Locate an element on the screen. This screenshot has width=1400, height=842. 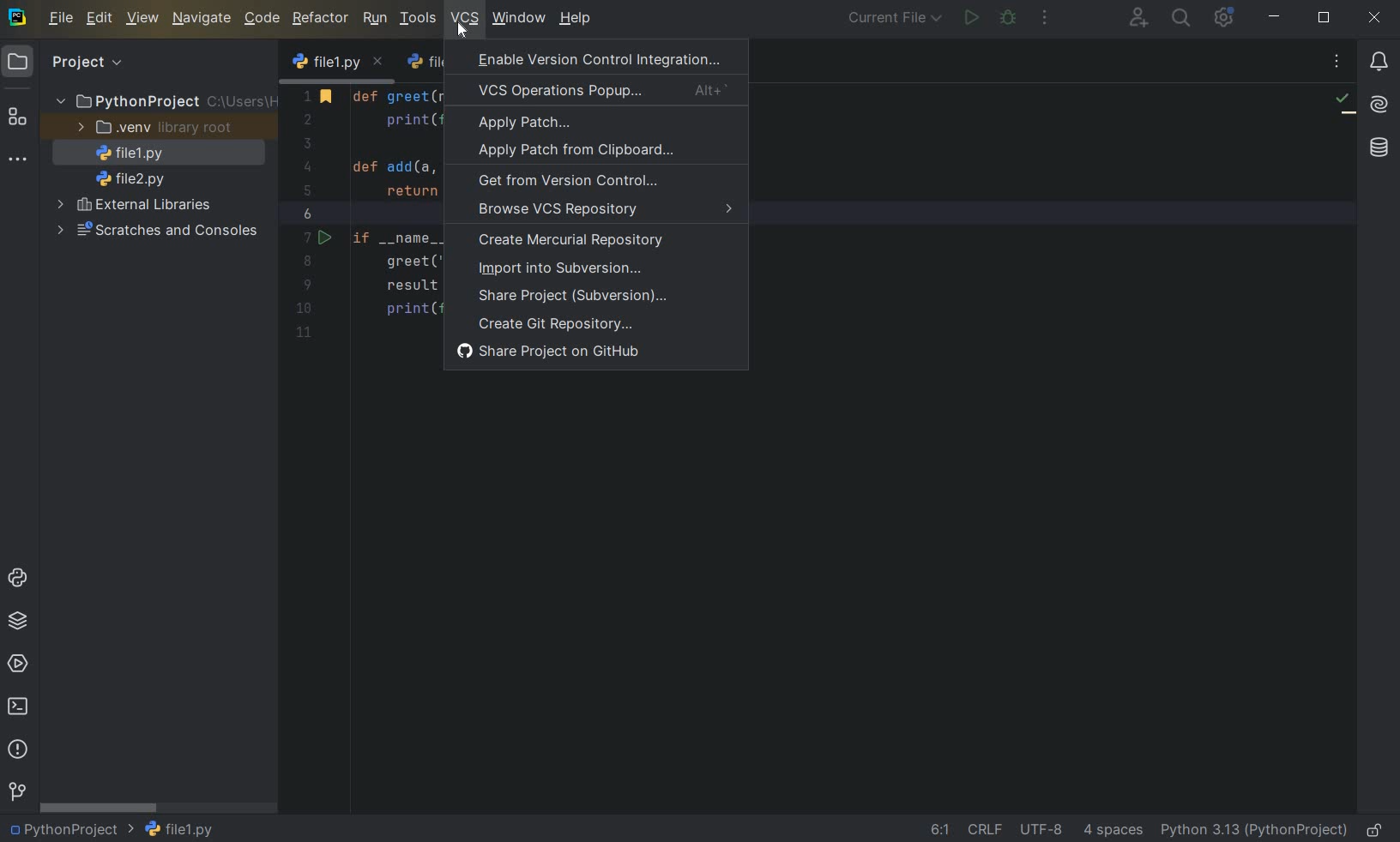
project name is located at coordinates (70, 831).